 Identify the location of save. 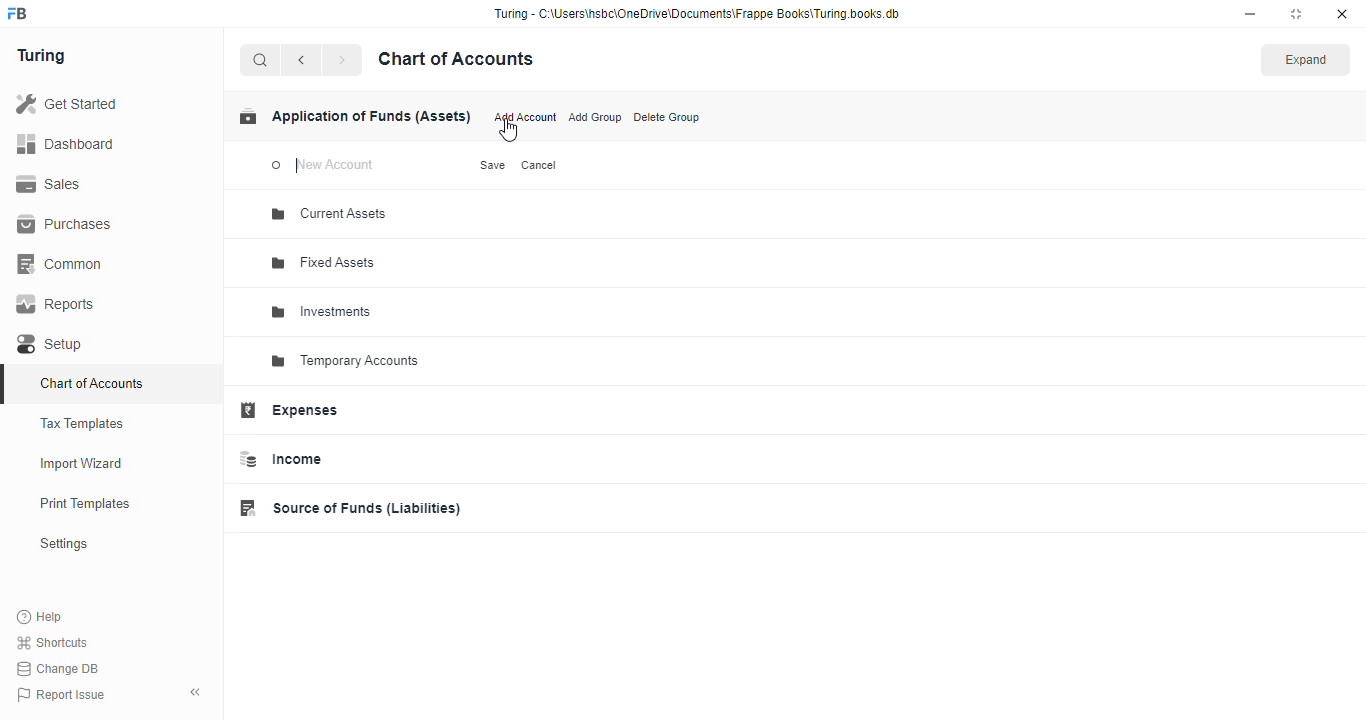
(493, 165).